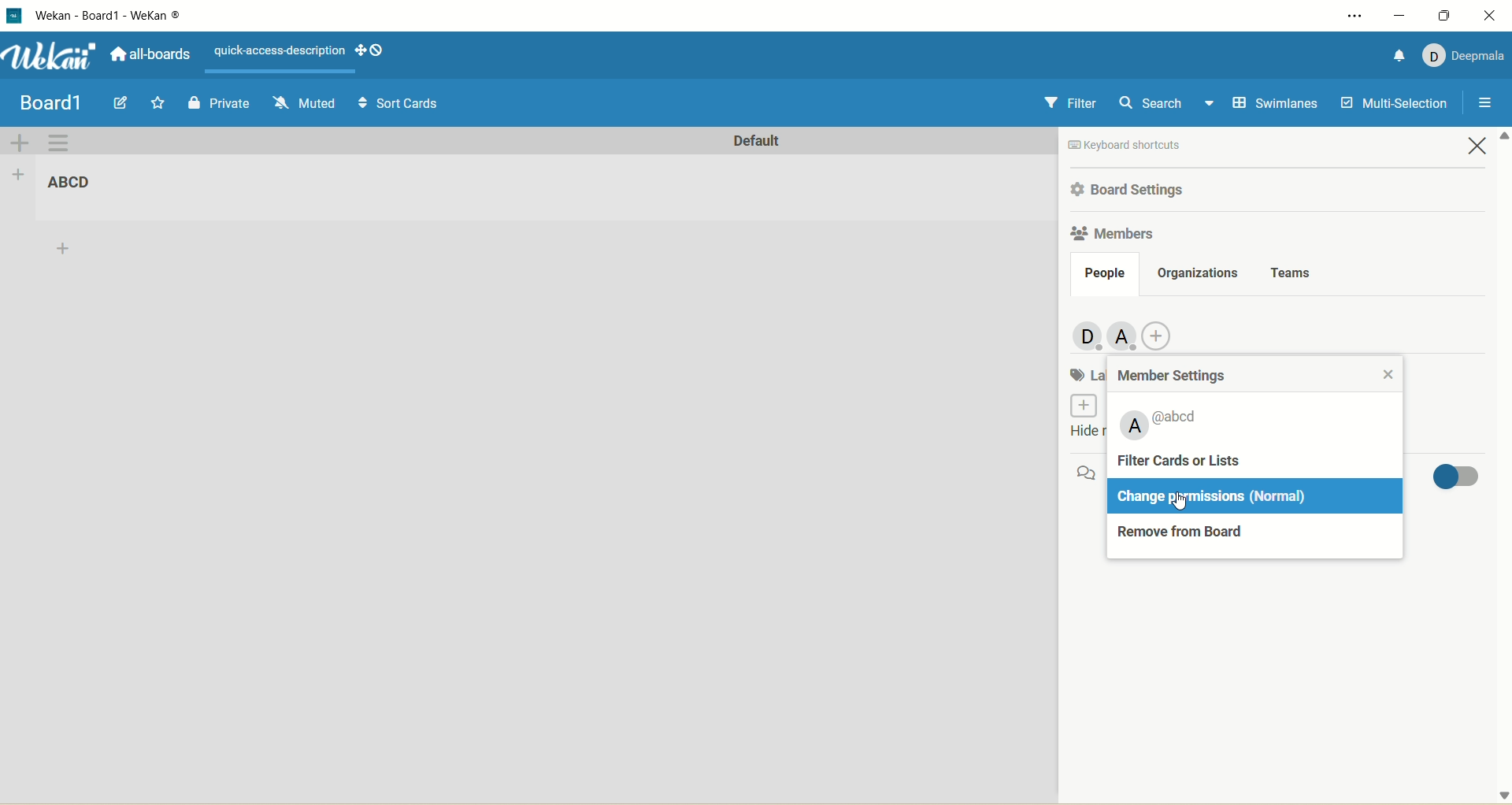  I want to click on cursor, so click(1184, 507).